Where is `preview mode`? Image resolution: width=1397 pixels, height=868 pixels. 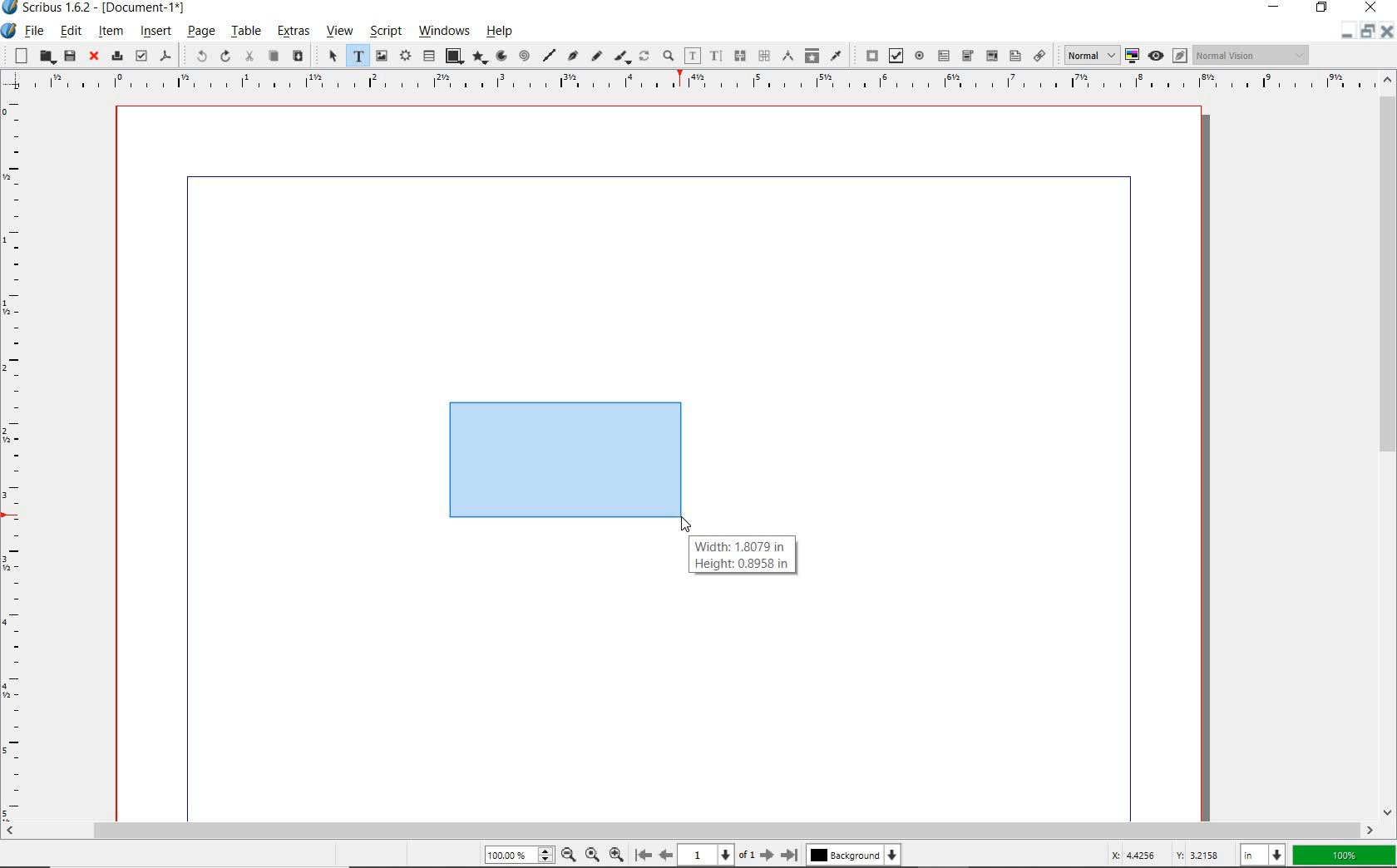
preview mode is located at coordinates (1156, 56).